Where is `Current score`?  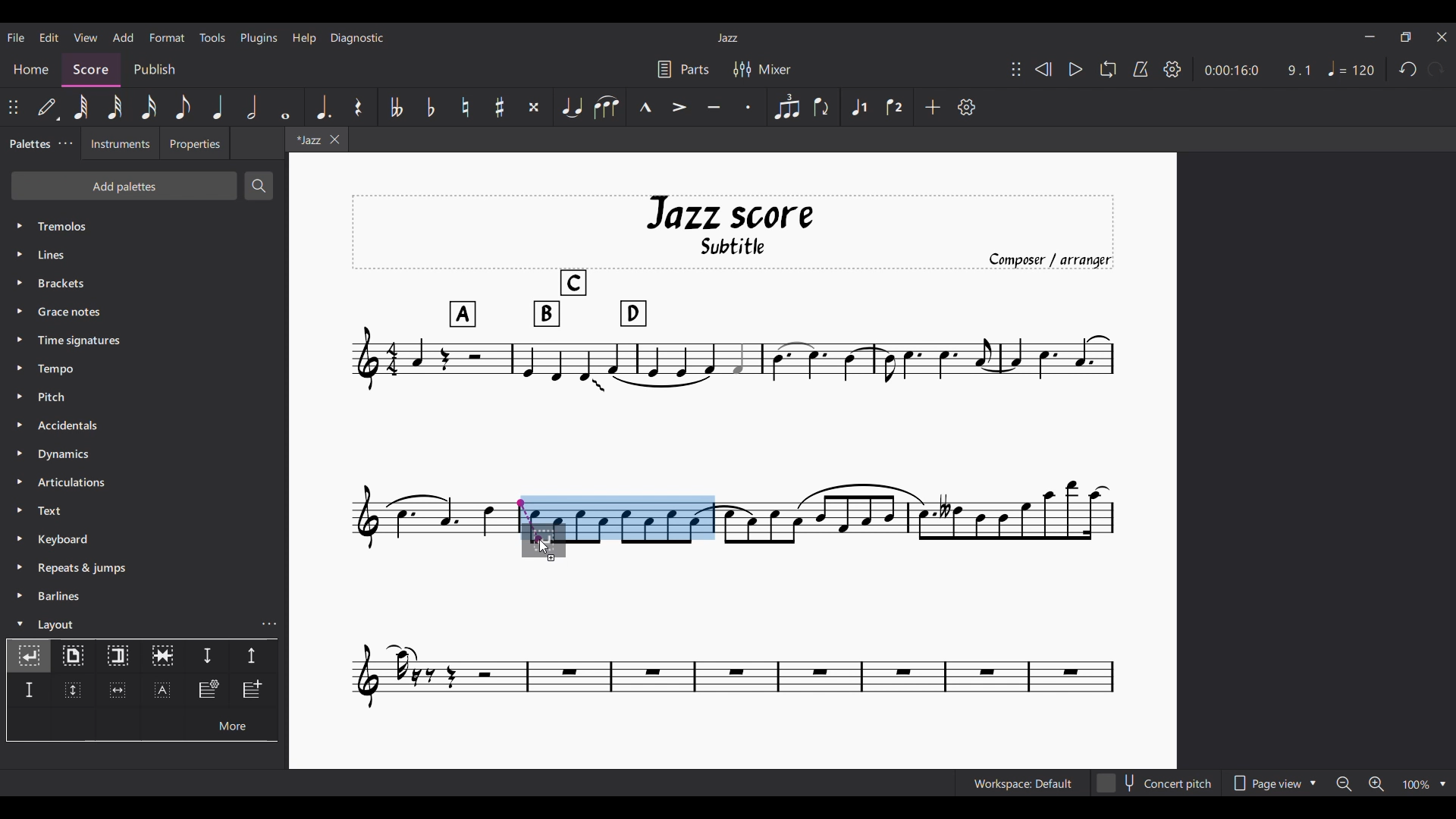 Current score is located at coordinates (918, 529).